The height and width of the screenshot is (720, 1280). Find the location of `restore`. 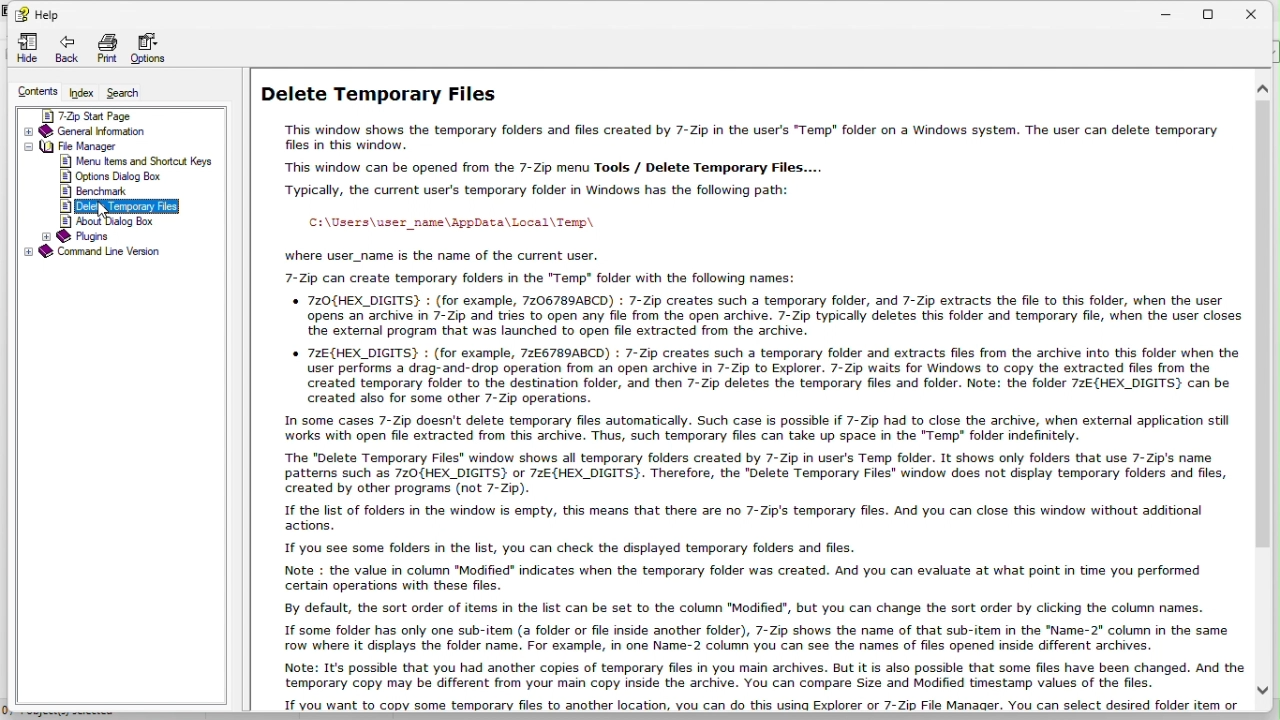

restore is located at coordinates (1218, 11).